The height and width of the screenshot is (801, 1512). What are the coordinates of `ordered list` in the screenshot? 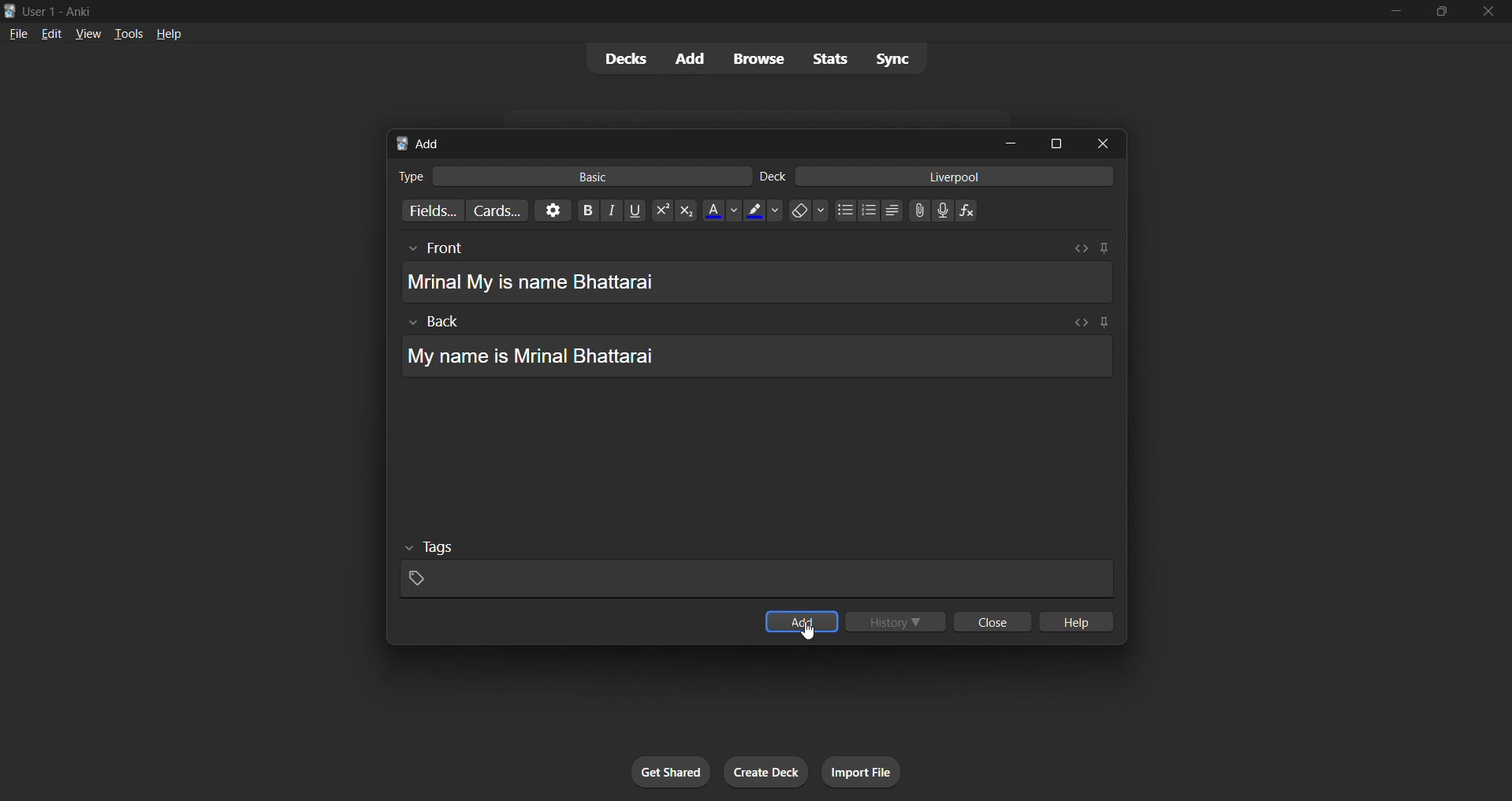 It's located at (872, 210).